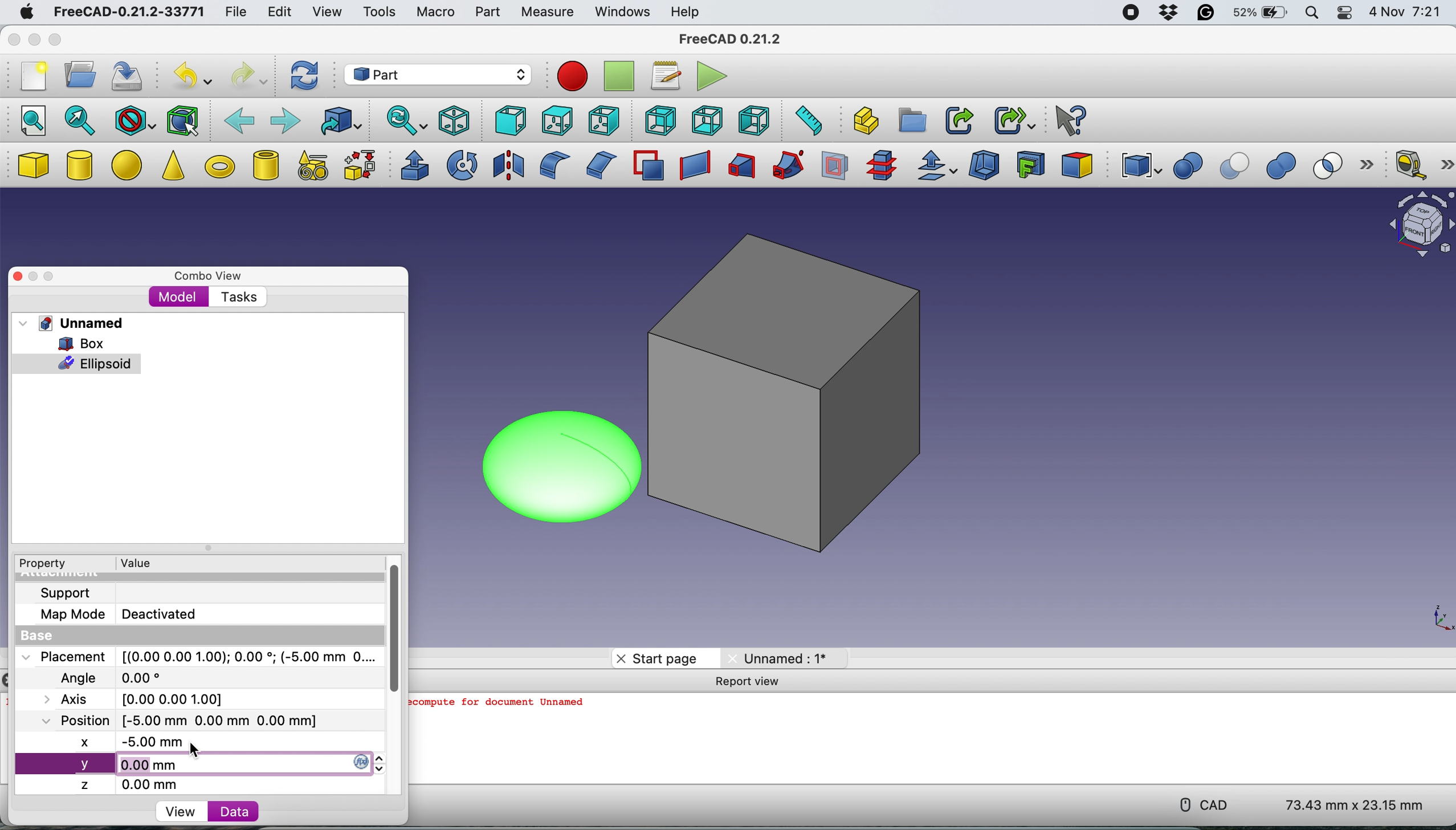 Image resolution: width=1456 pixels, height=830 pixels. Describe the element at coordinates (326, 11) in the screenshot. I see `view` at that location.